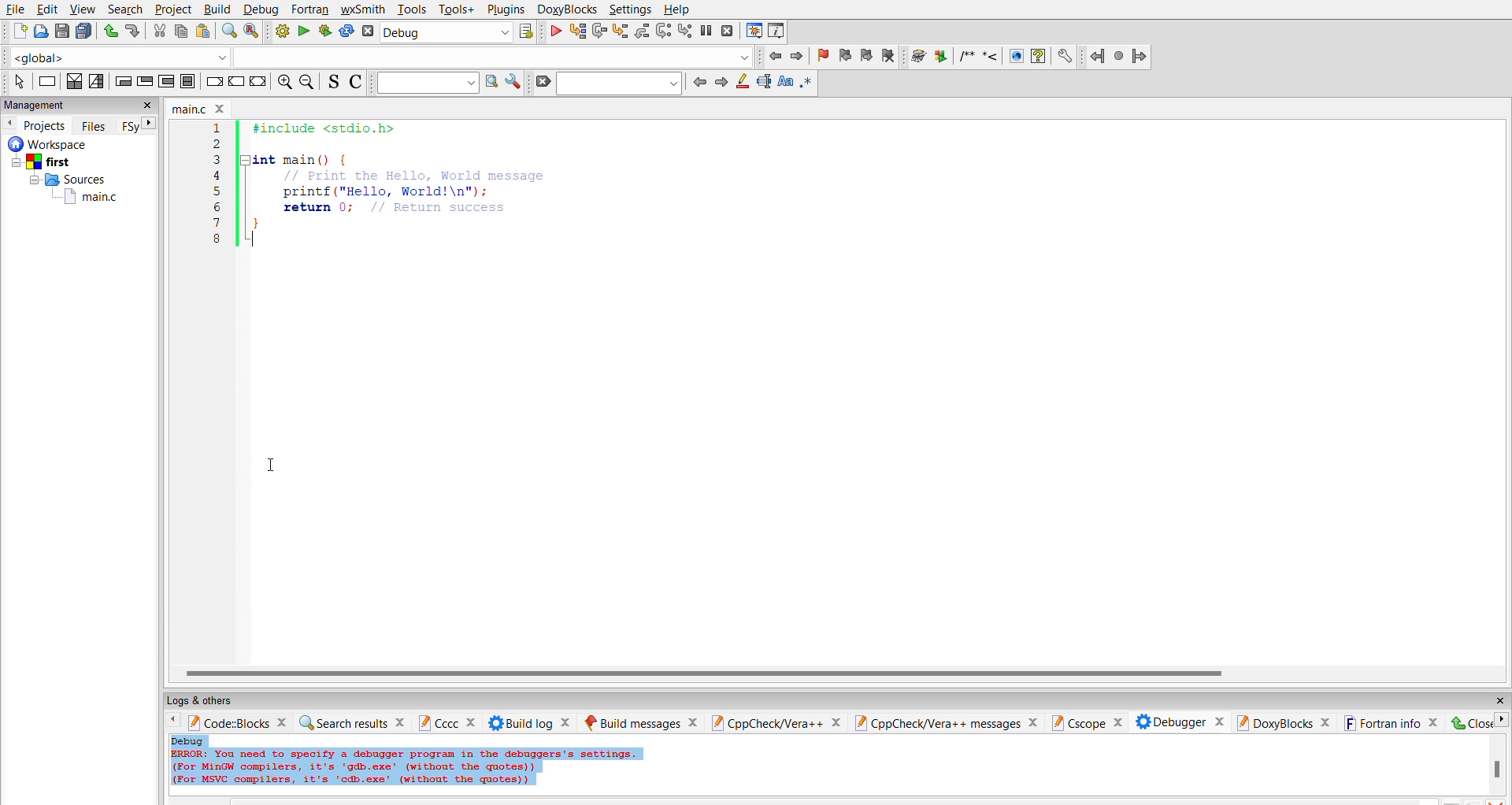  I want to click on next, so click(722, 81).